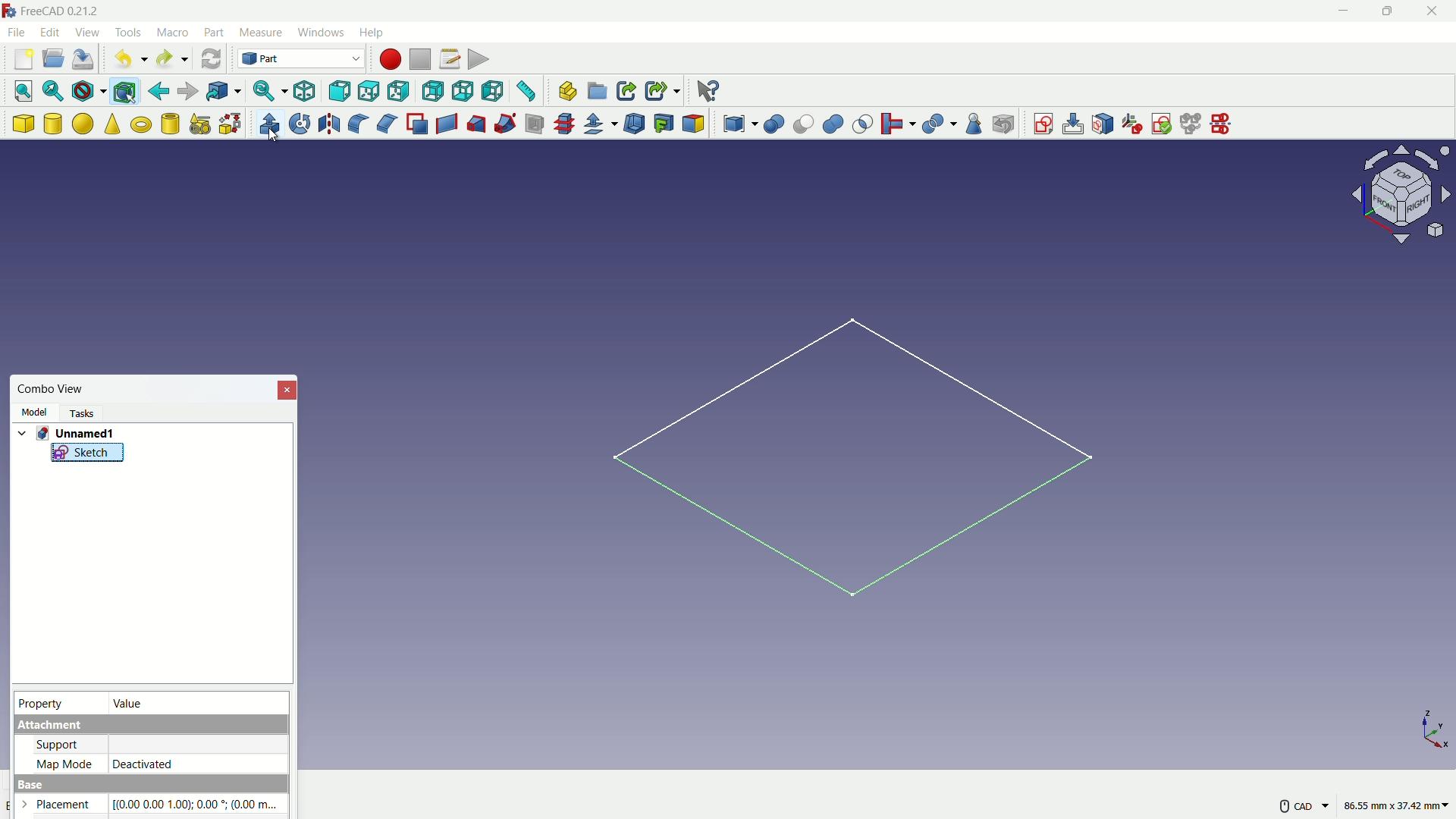 This screenshot has width=1456, height=819. Describe the element at coordinates (80, 413) in the screenshot. I see `Tasks` at that location.